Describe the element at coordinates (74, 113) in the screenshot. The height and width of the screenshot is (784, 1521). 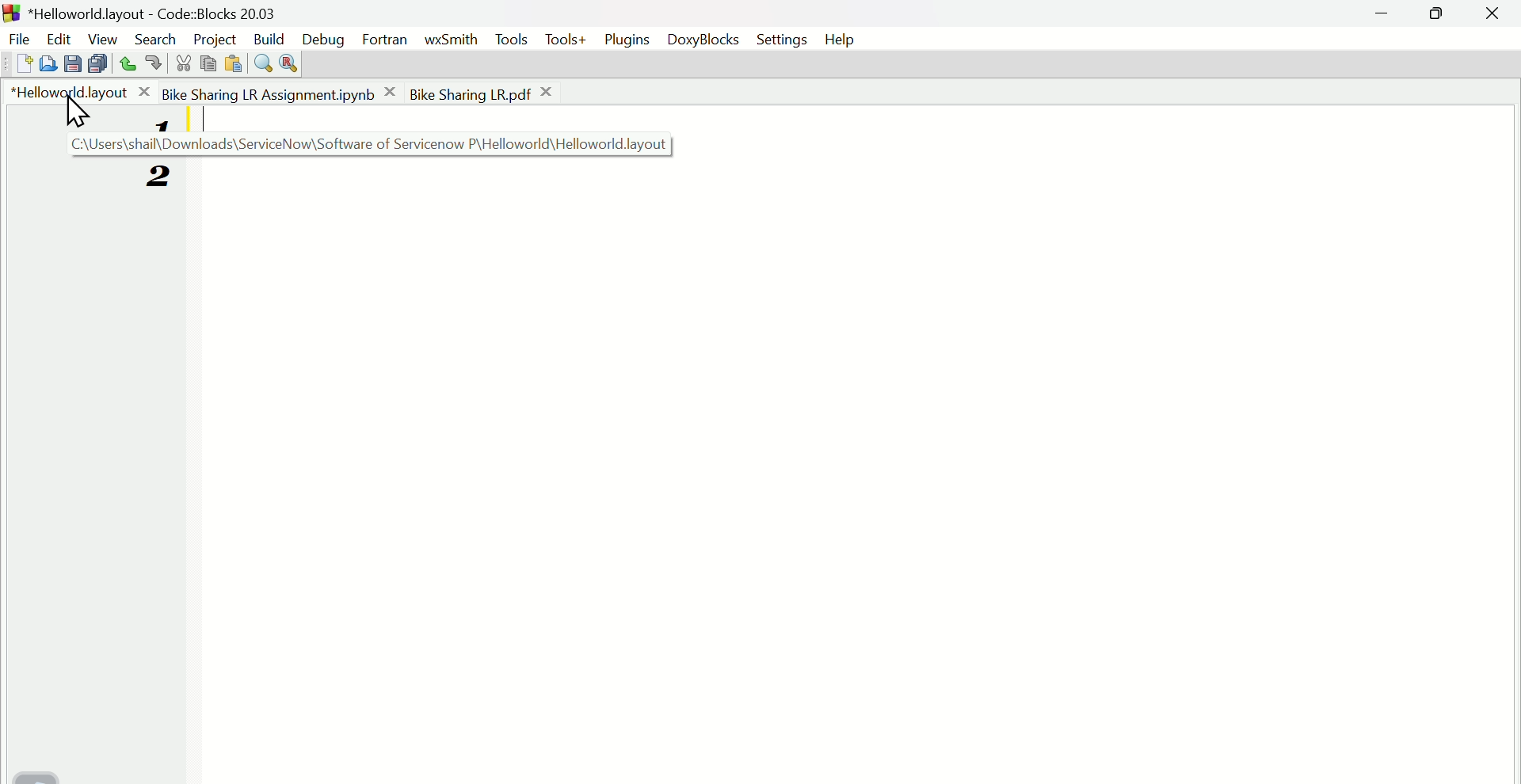
I see `Cursor` at that location.